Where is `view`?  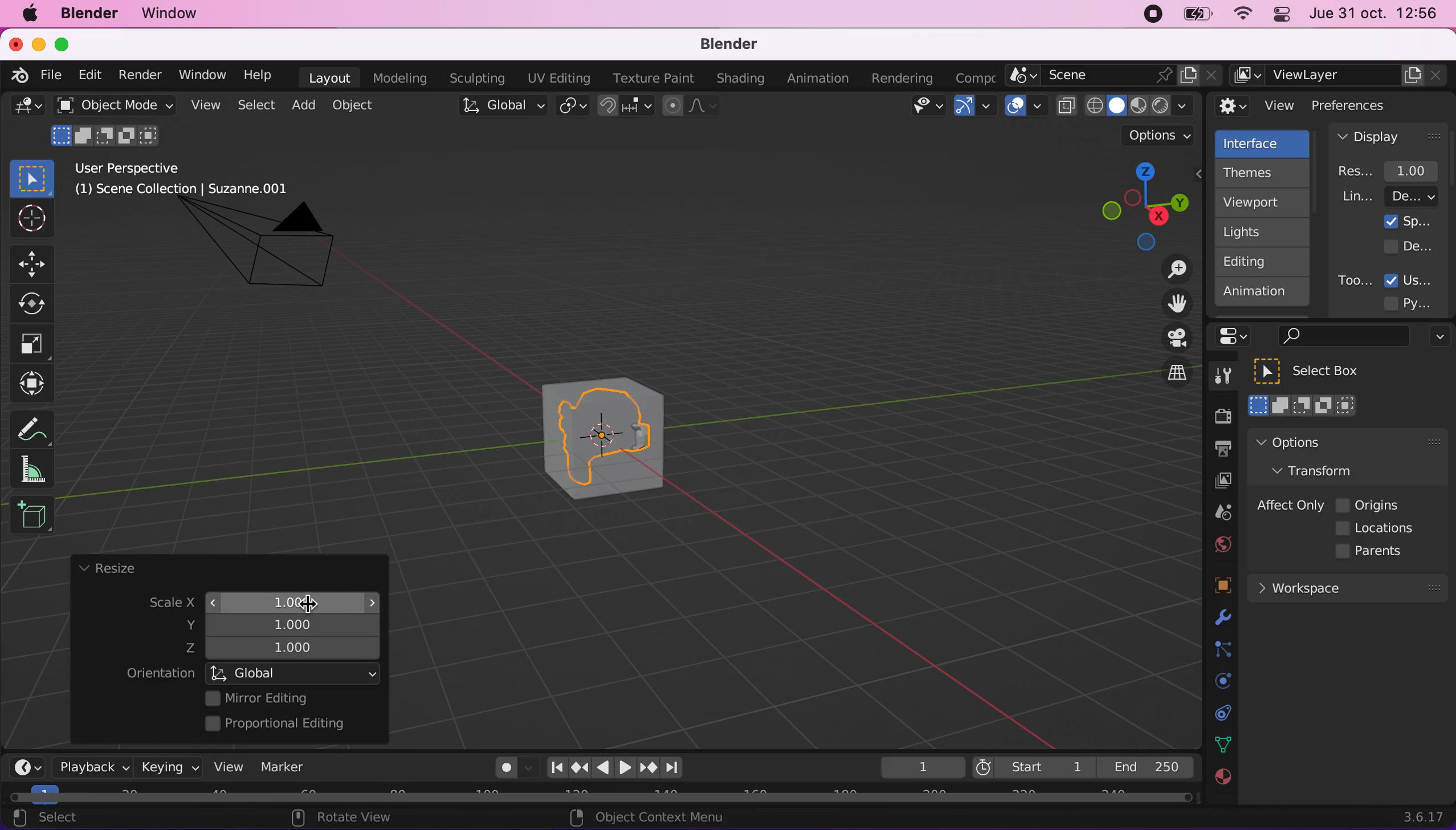
view is located at coordinates (224, 766).